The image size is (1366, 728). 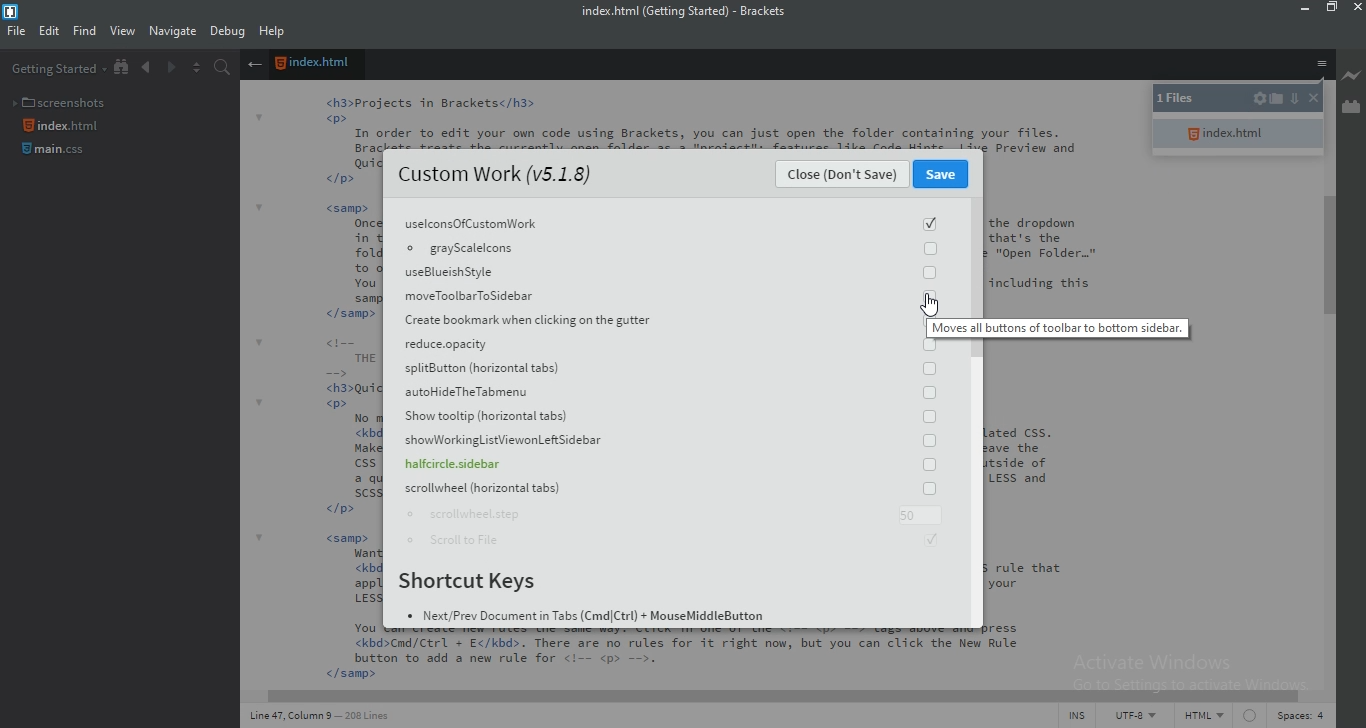 What do you see at coordinates (672, 421) in the screenshot?
I see `Show tooltip(horizontal tabs)` at bounding box center [672, 421].